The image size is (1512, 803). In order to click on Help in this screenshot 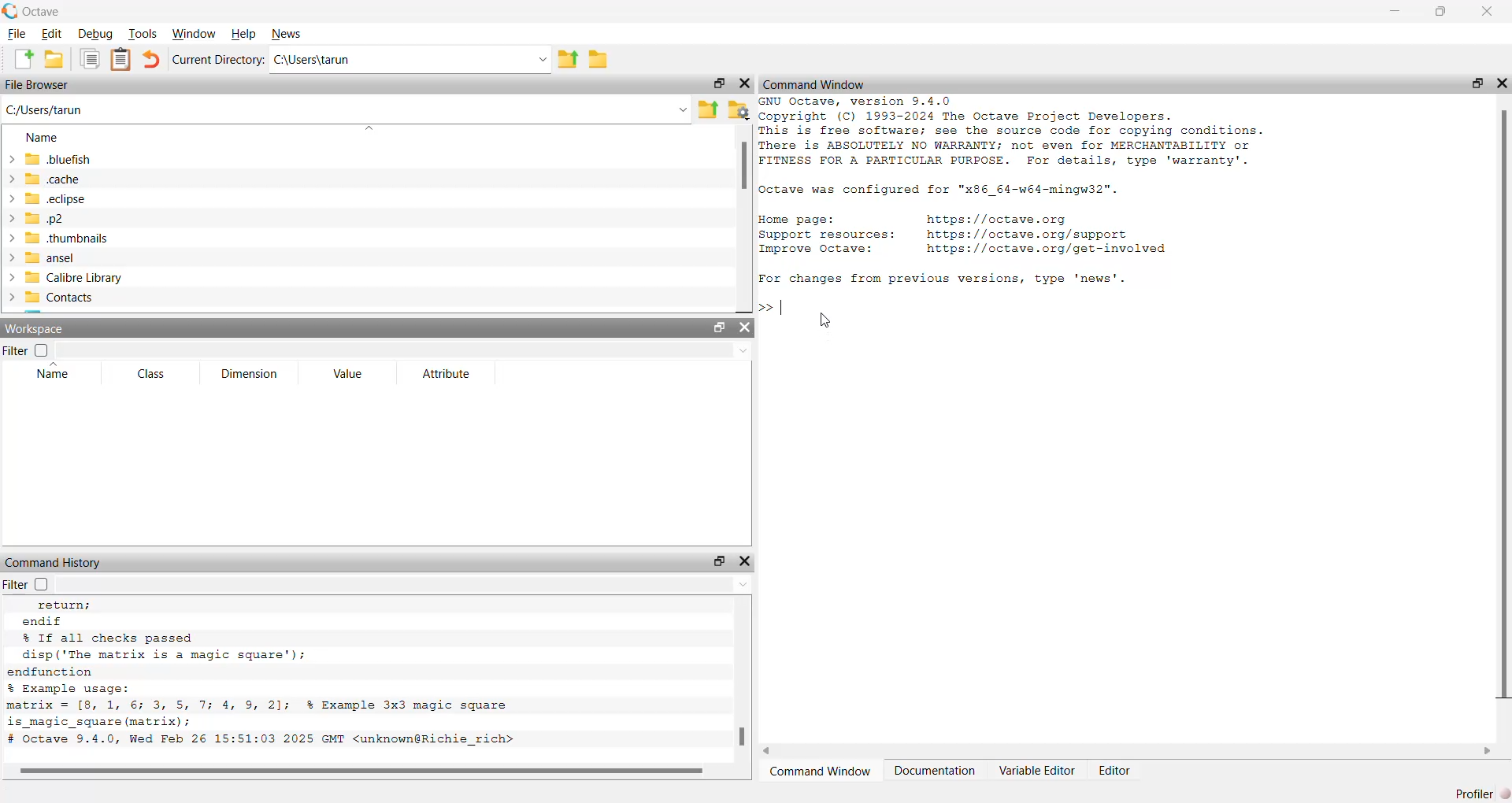, I will do `click(244, 34)`.